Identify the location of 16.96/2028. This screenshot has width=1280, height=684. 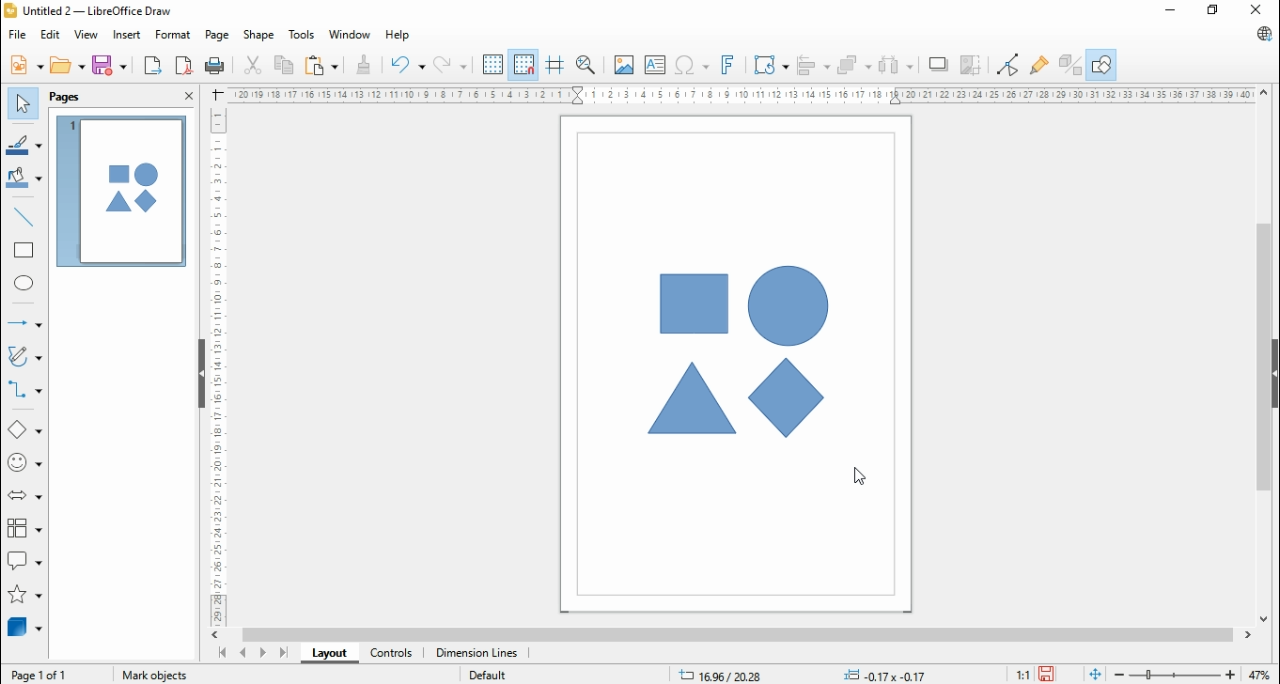
(717, 675).